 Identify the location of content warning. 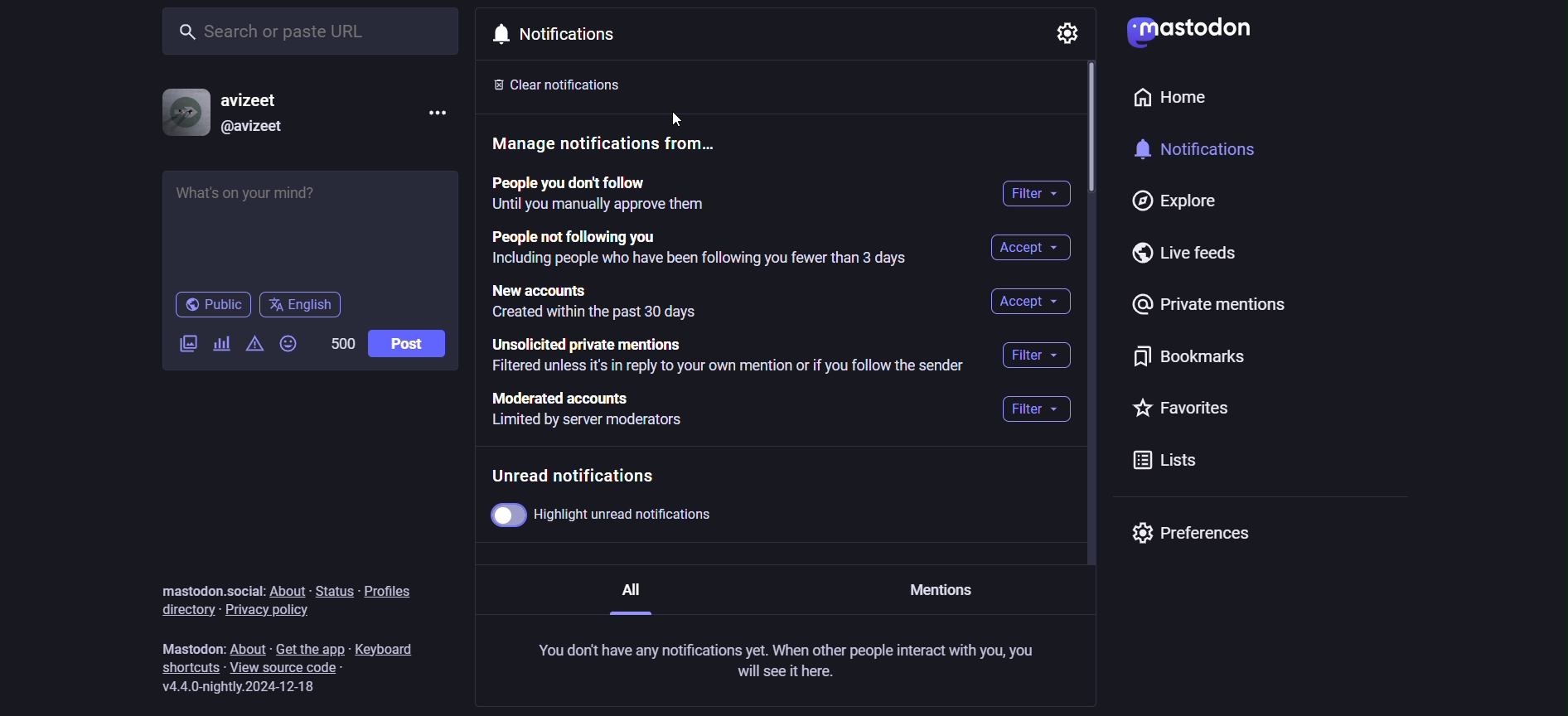
(255, 350).